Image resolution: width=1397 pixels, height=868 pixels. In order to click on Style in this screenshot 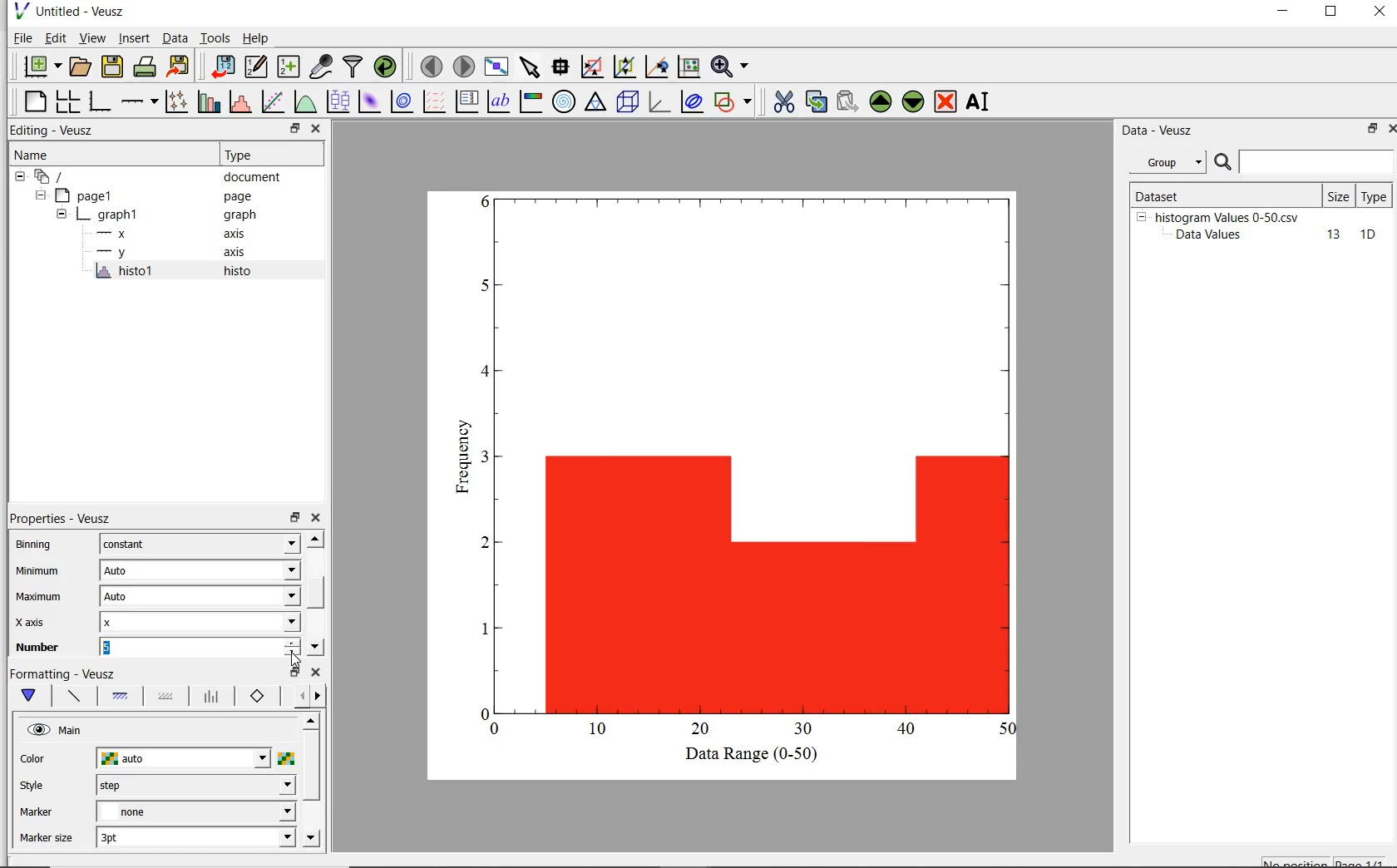, I will do `click(36, 787)`.